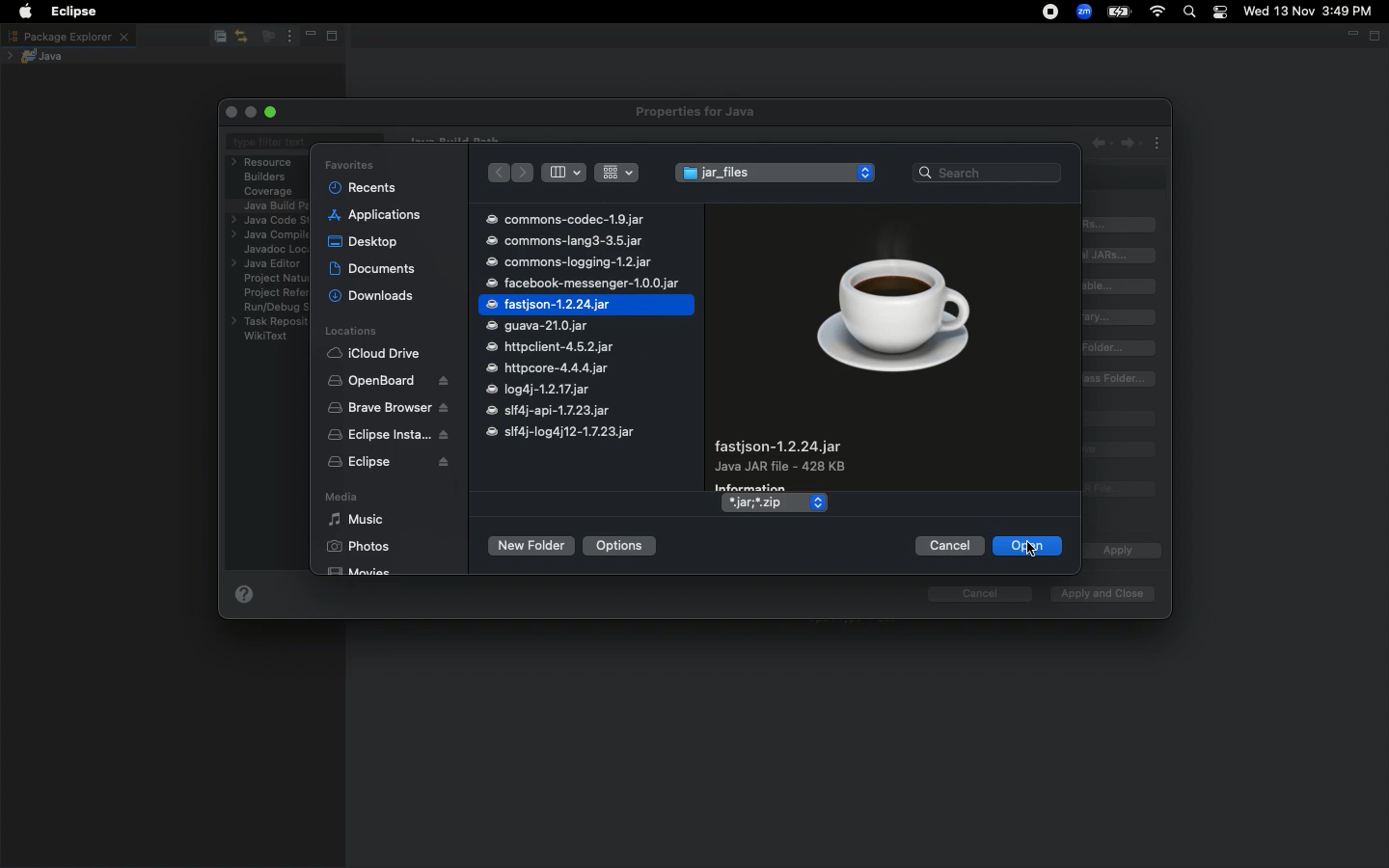 Image resolution: width=1389 pixels, height=868 pixels. I want to click on Add library, so click(1123, 317).